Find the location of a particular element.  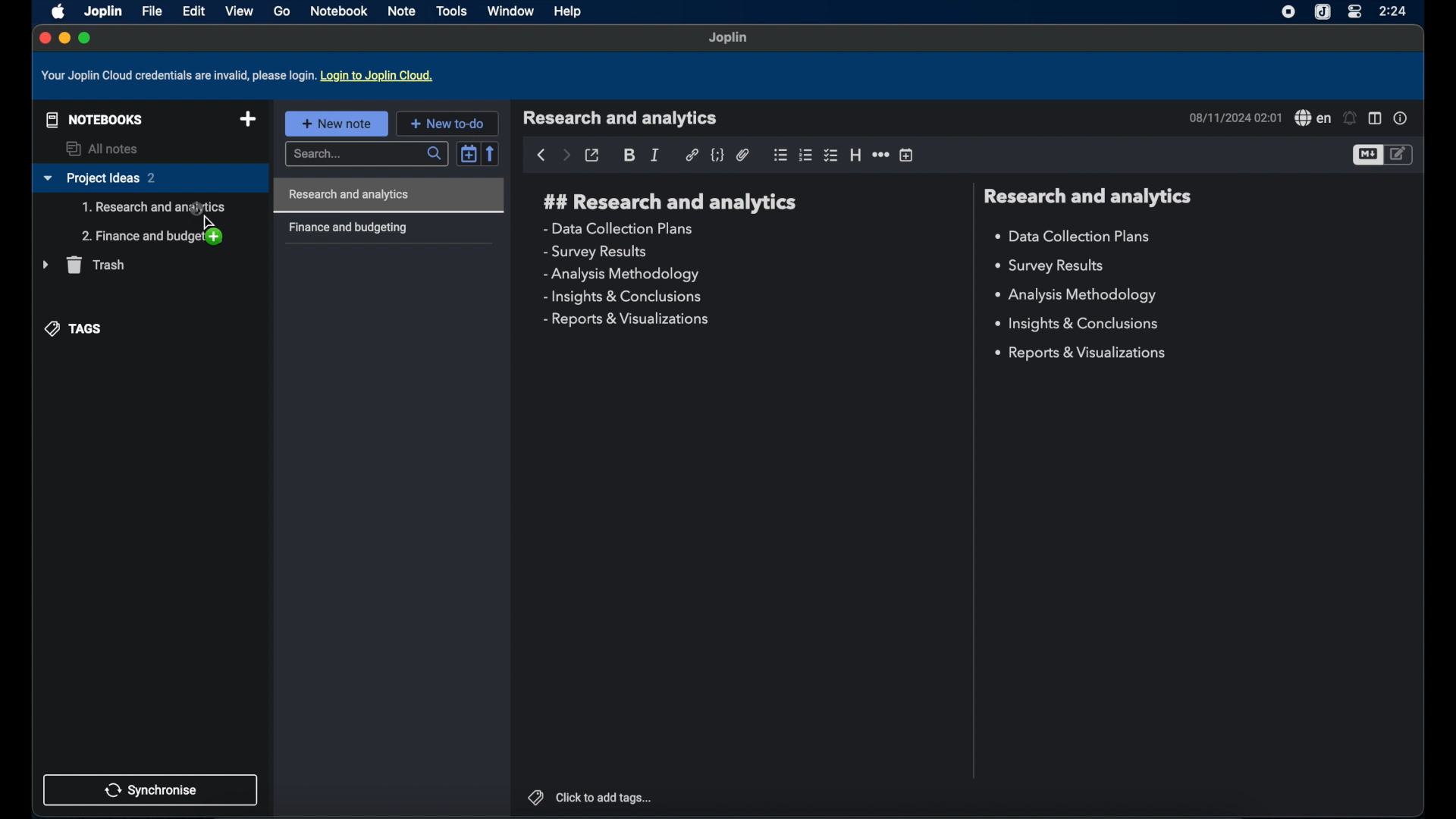

new note is located at coordinates (336, 123).